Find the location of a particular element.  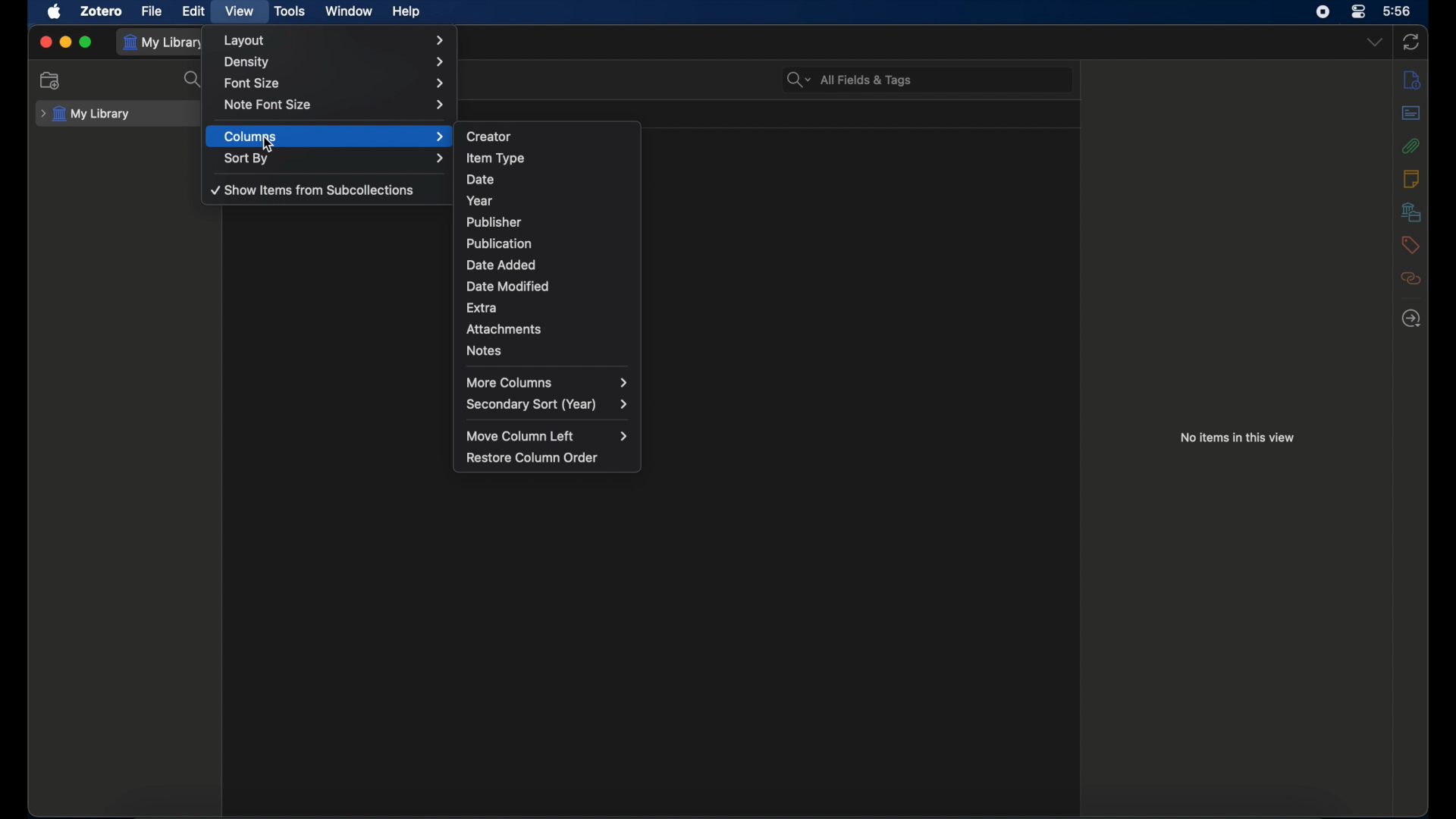

notes is located at coordinates (1410, 178).